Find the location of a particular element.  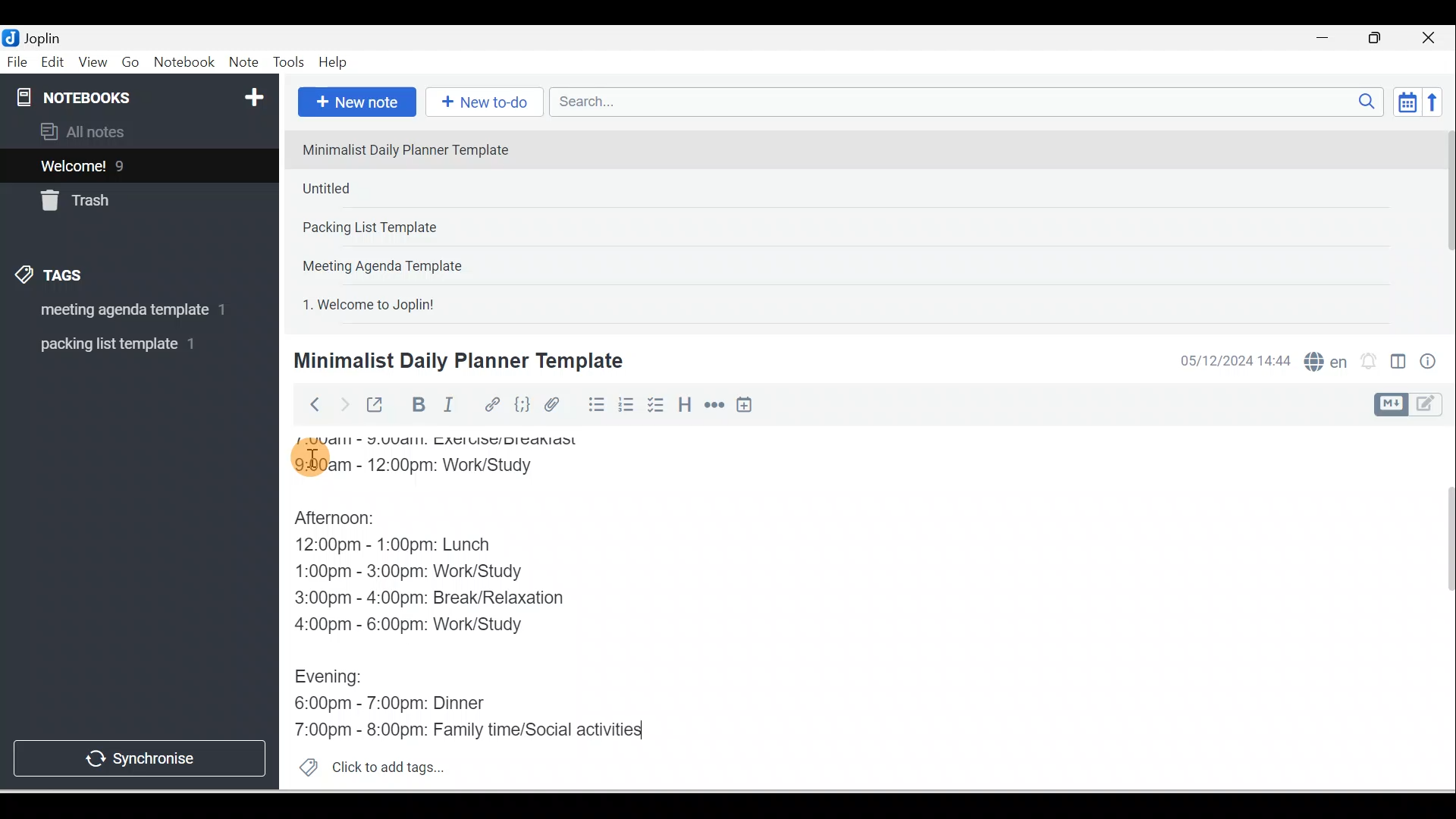

Numbered list is located at coordinates (626, 404).